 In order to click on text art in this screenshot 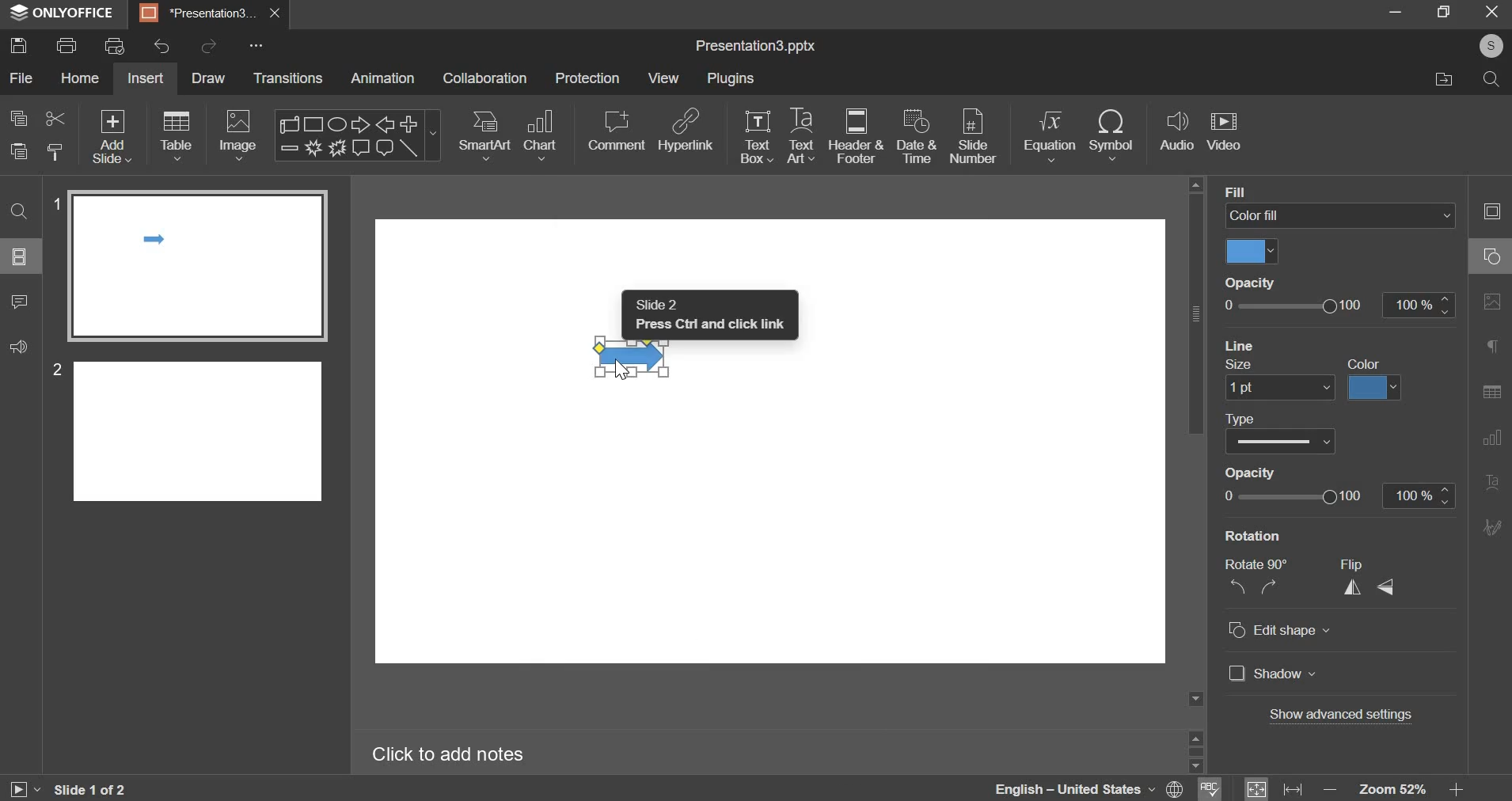, I will do `click(800, 135)`.